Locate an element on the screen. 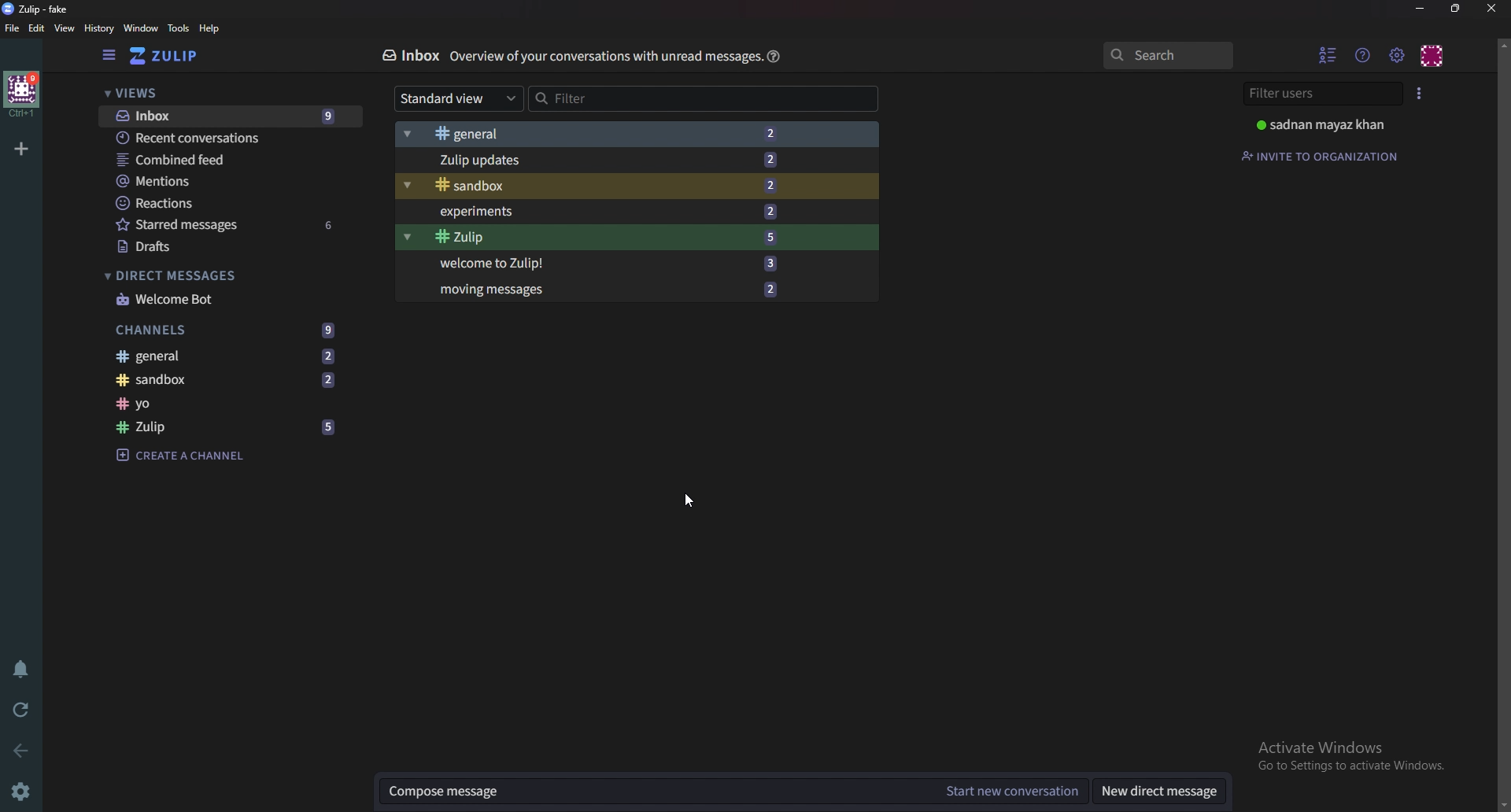 The height and width of the screenshot is (812, 1511). home is located at coordinates (23, 95).